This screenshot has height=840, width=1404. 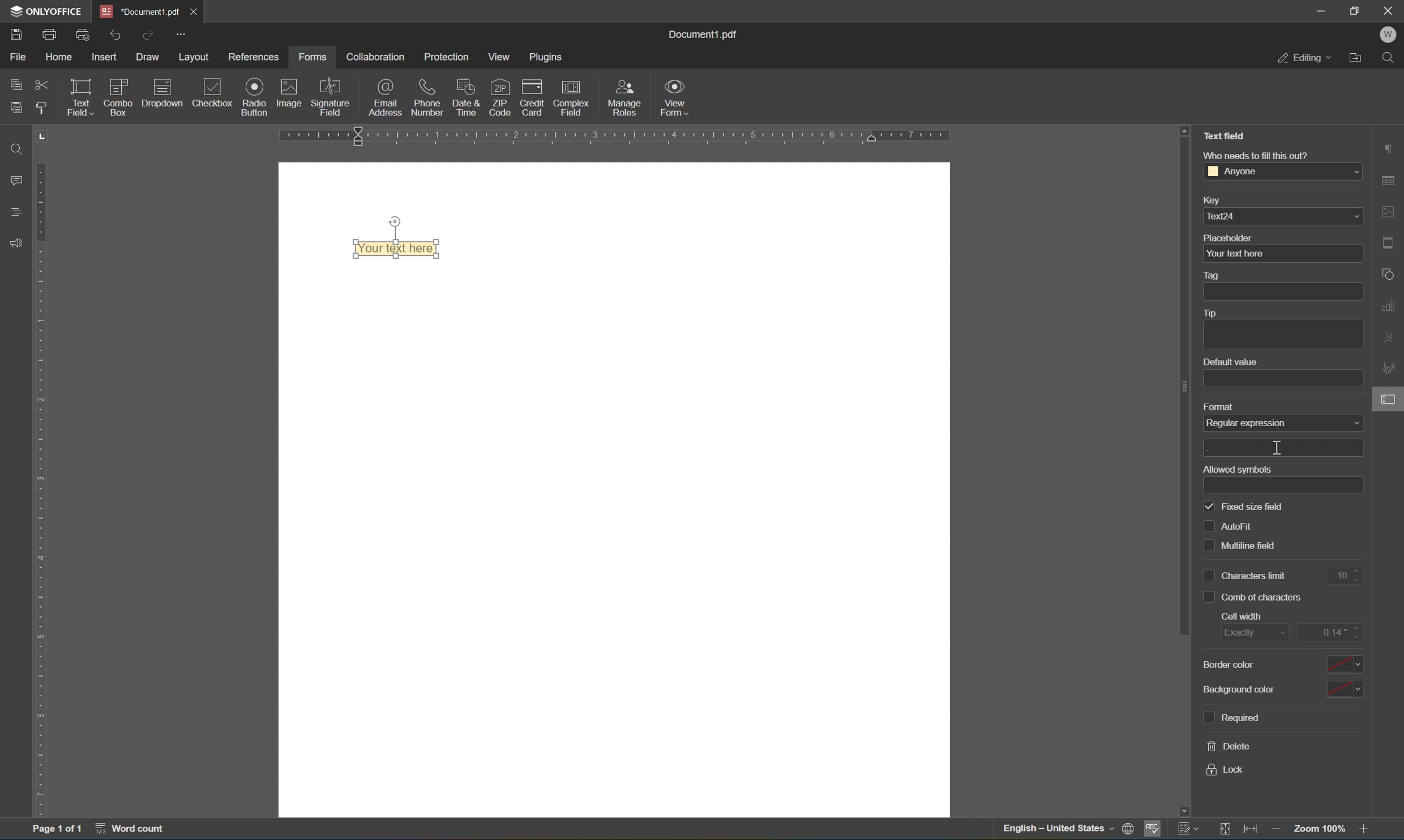 What do you see at coordinates (16, 82) in the screenshot?
I see `copy` at bounding box center [16, 82].